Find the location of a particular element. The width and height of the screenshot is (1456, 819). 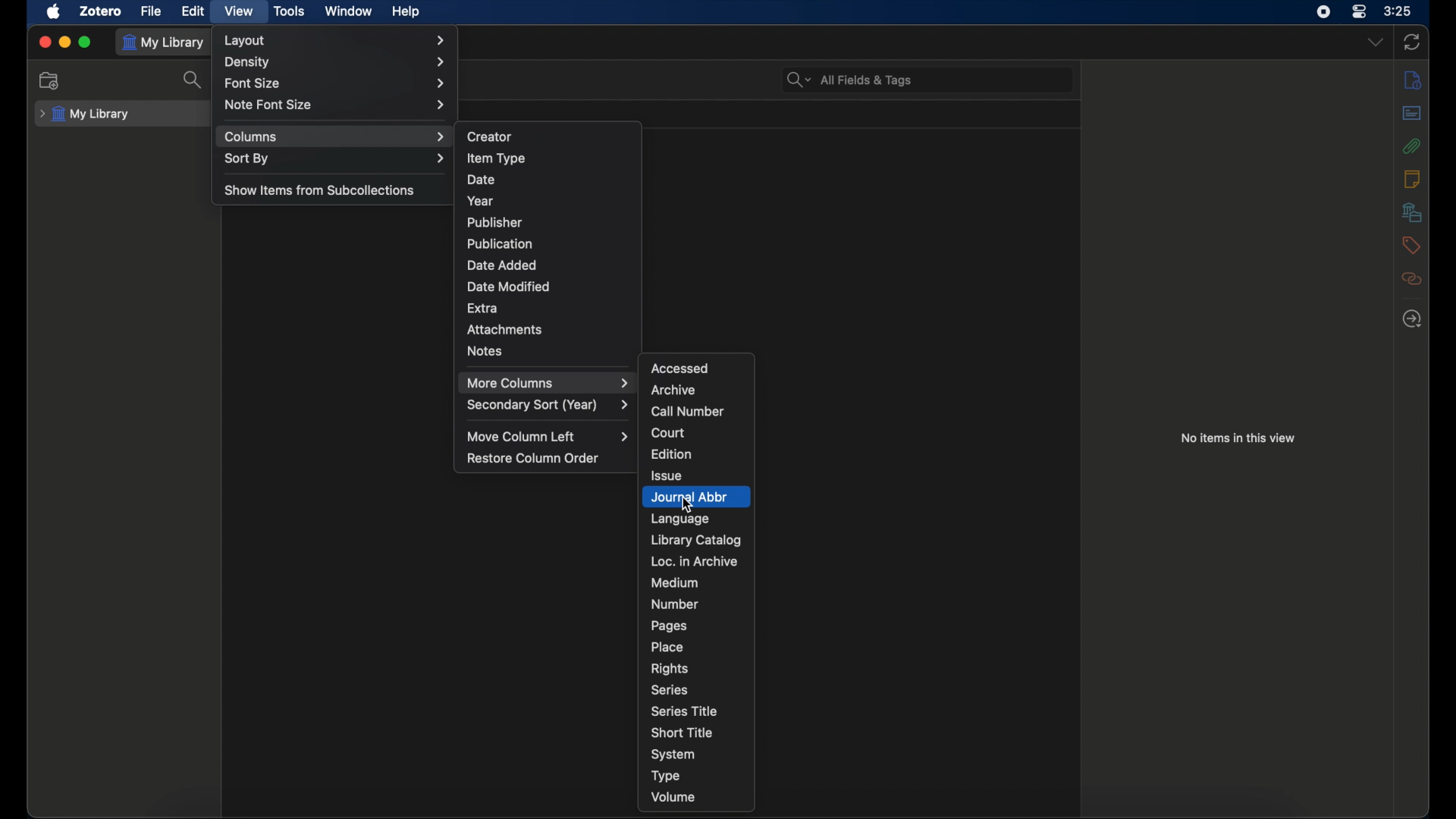

sync is located at coordinates (1411, 42).